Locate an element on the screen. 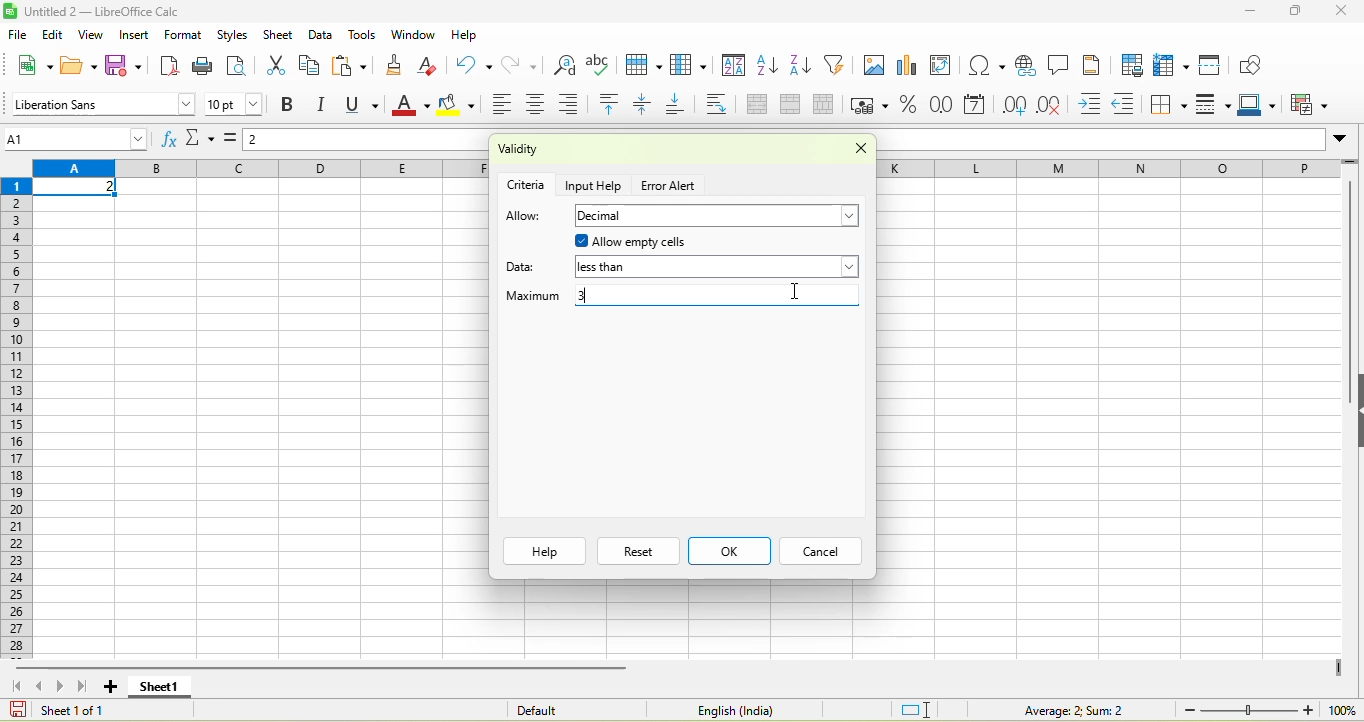  clone formatting is located at coordinates (400, 64).